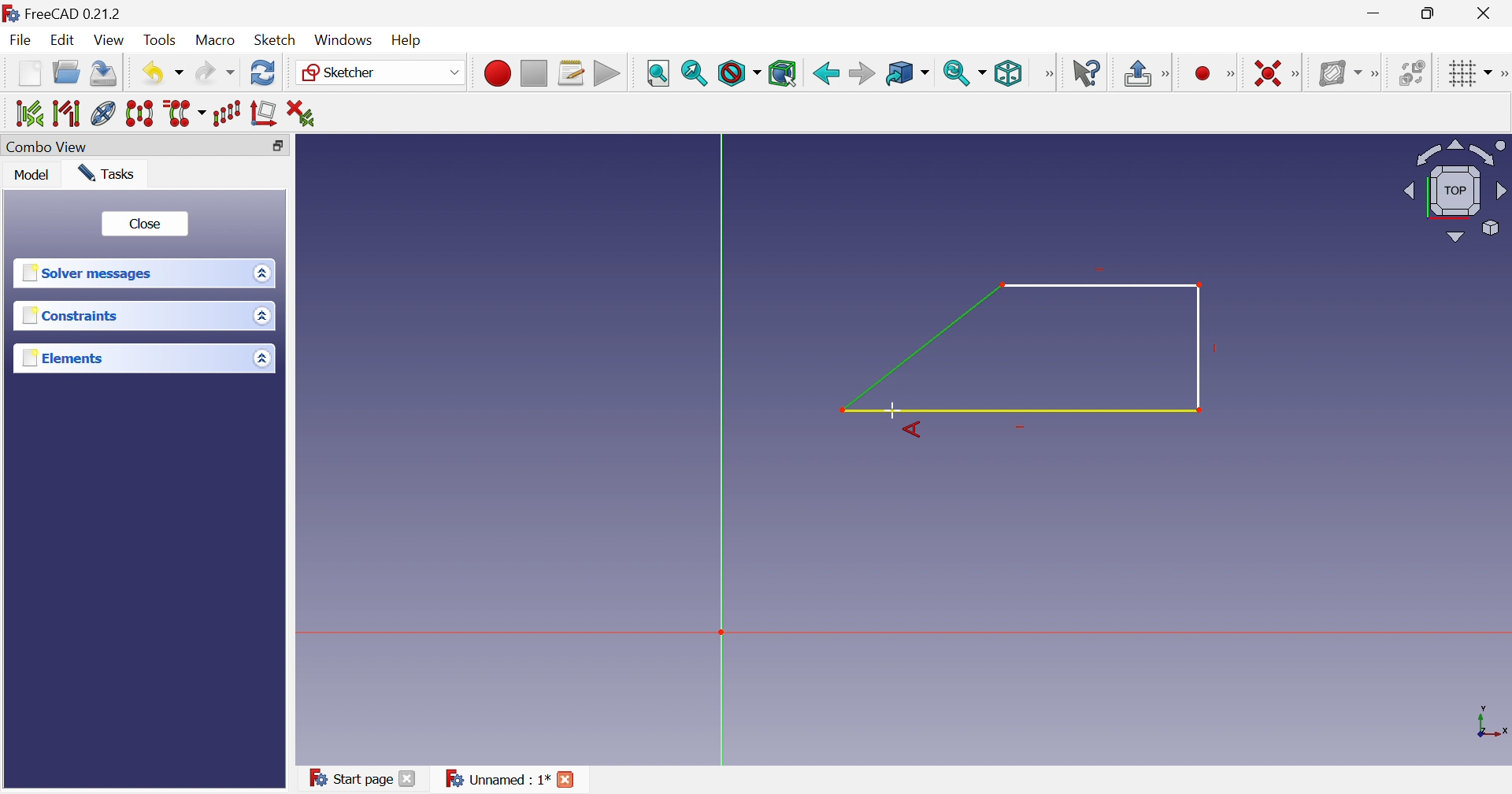  What do you see at coordinates (229, 114) in the screenshot?
I see `Rectangular array` at bounding box center [229, 114].